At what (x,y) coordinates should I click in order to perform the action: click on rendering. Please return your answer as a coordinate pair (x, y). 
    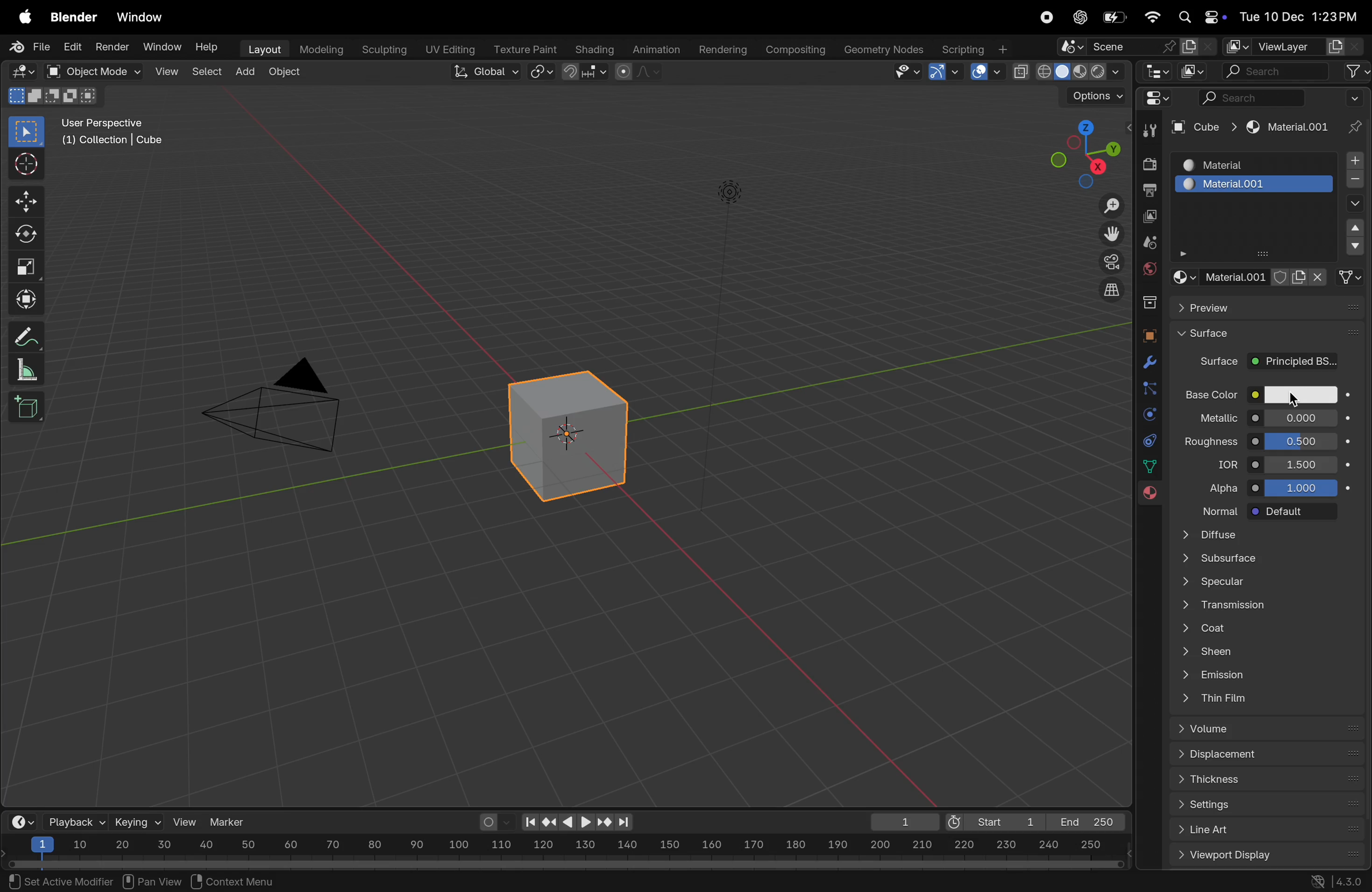
    Looking at the image, I should click on (719, 48).